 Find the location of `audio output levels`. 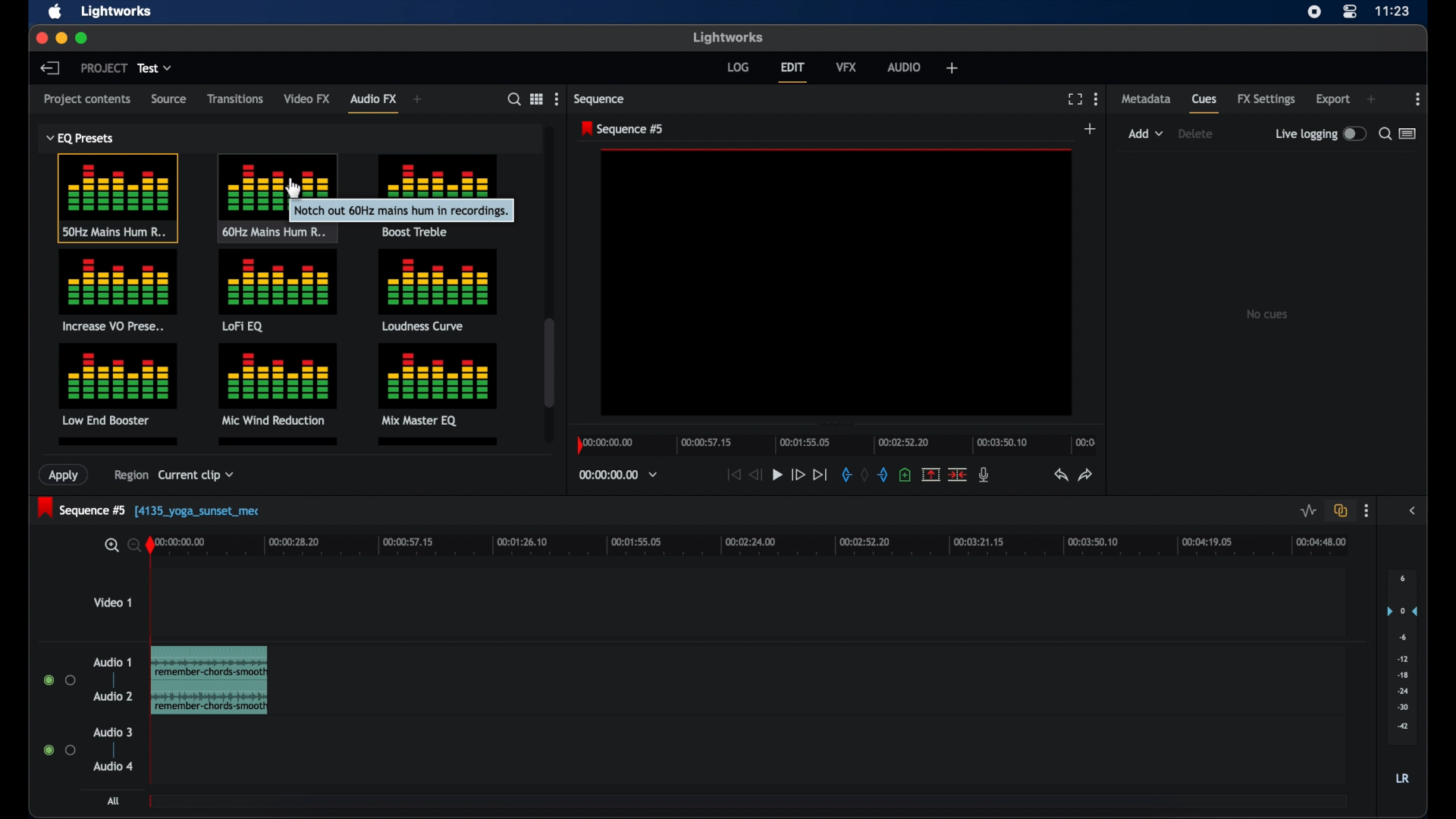

audio output levels is located at coordinates (1402, 657).